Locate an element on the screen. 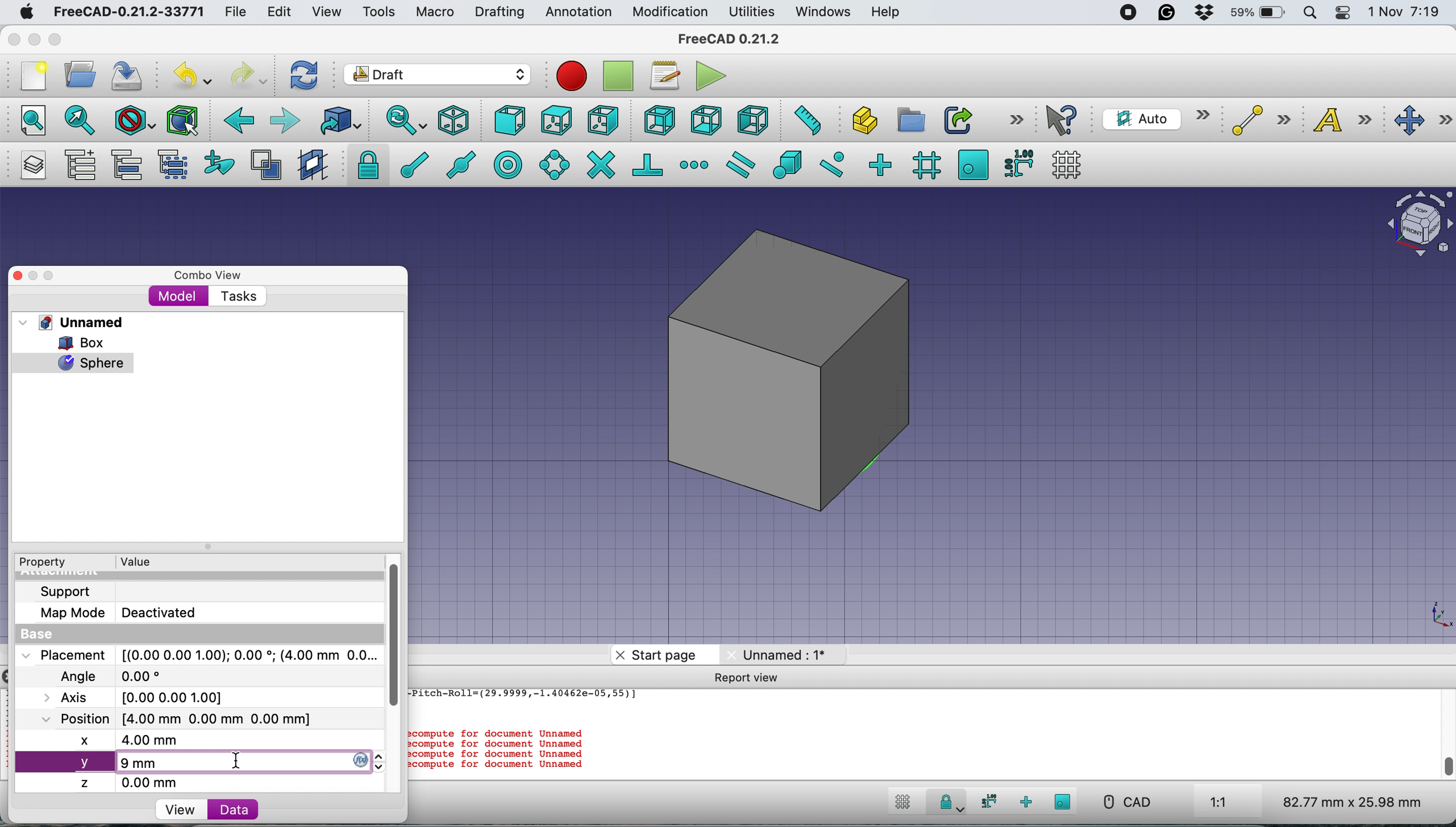  tools is located at coordinates (378, 13).